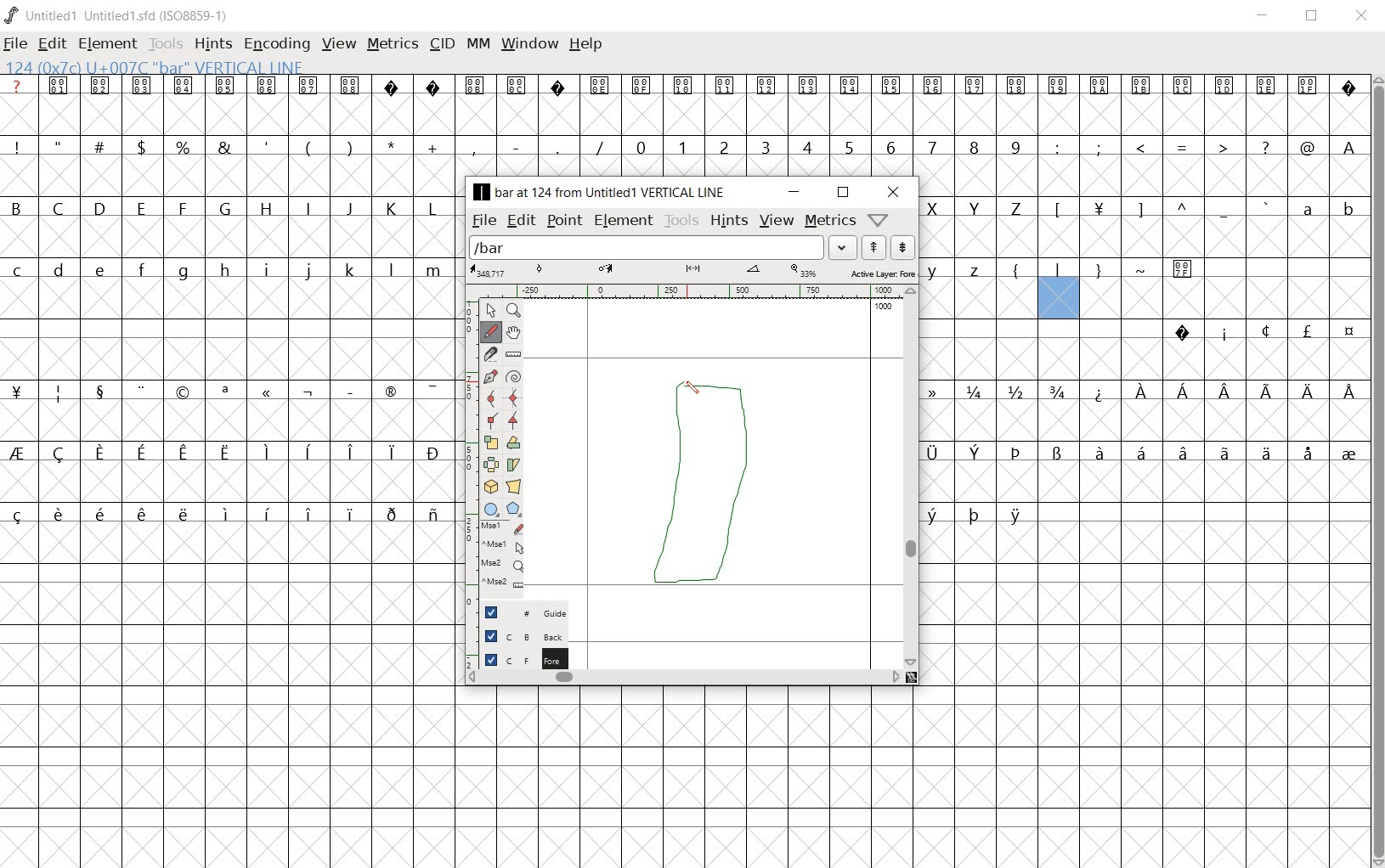 The width and height of the screenshot is (1385, 868). Describe the element at coordinates (515, 421) in the screenshot. I see `Add a corner point` at that location.